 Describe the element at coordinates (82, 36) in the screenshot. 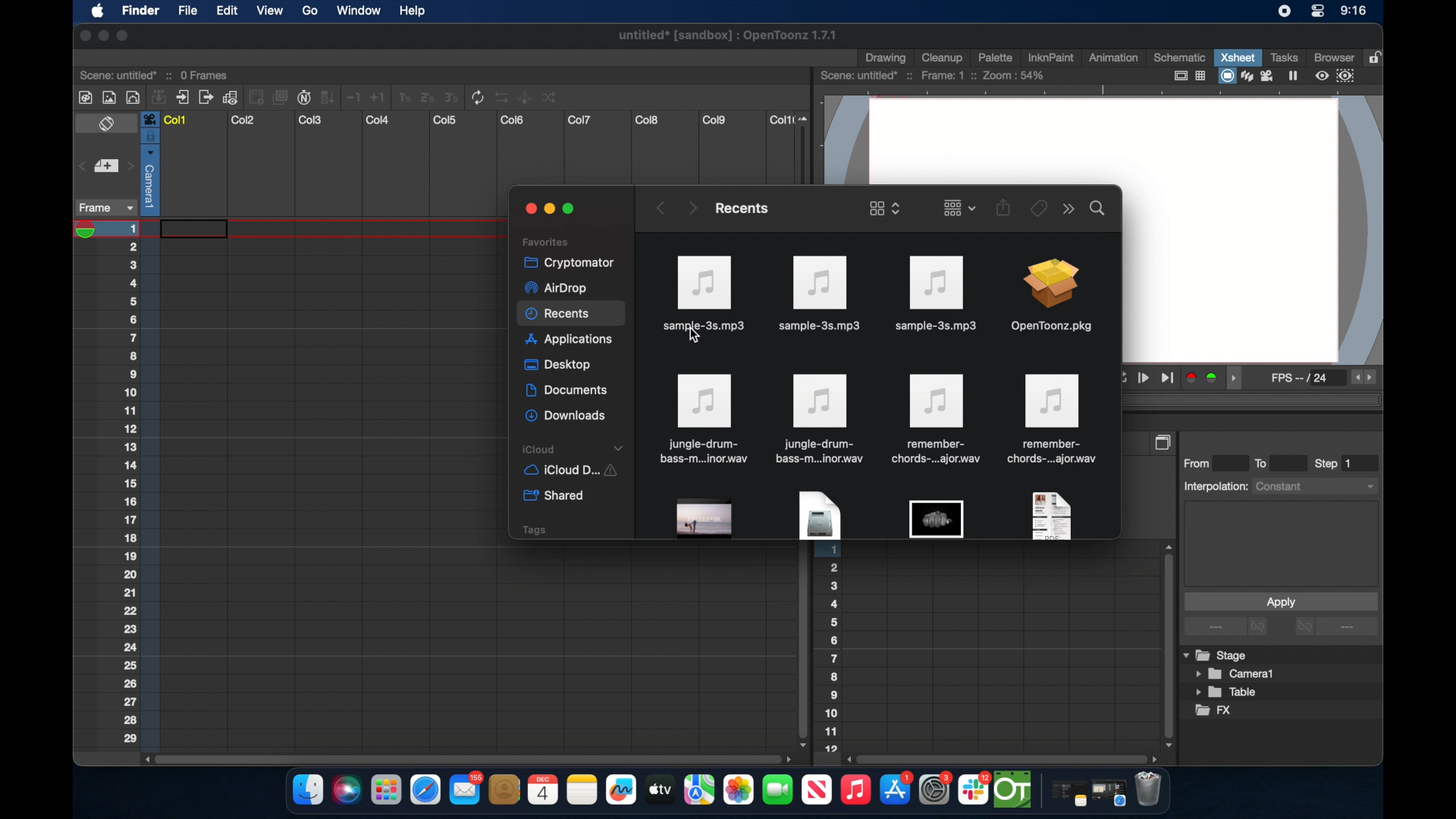

I see `close` at that location.